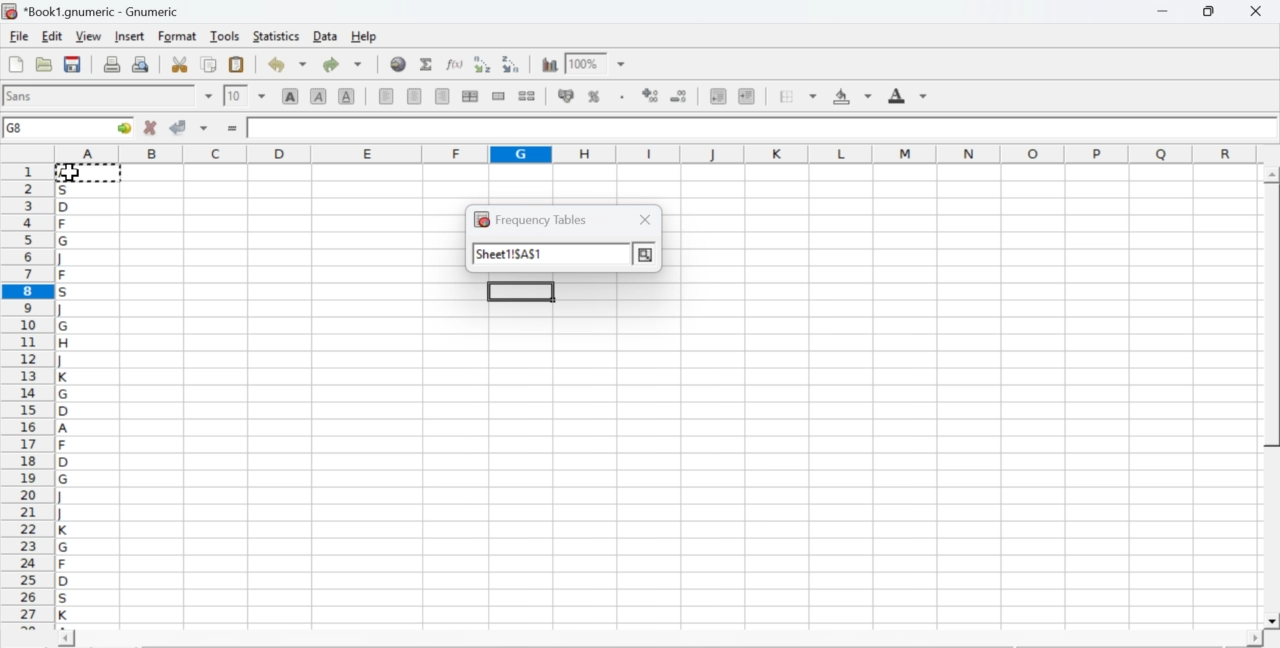 This screenshot has height=648, width=1280. Describe the element at coordinates (566, 95) in the screenshot. I see `format selection as accounting` at that location.